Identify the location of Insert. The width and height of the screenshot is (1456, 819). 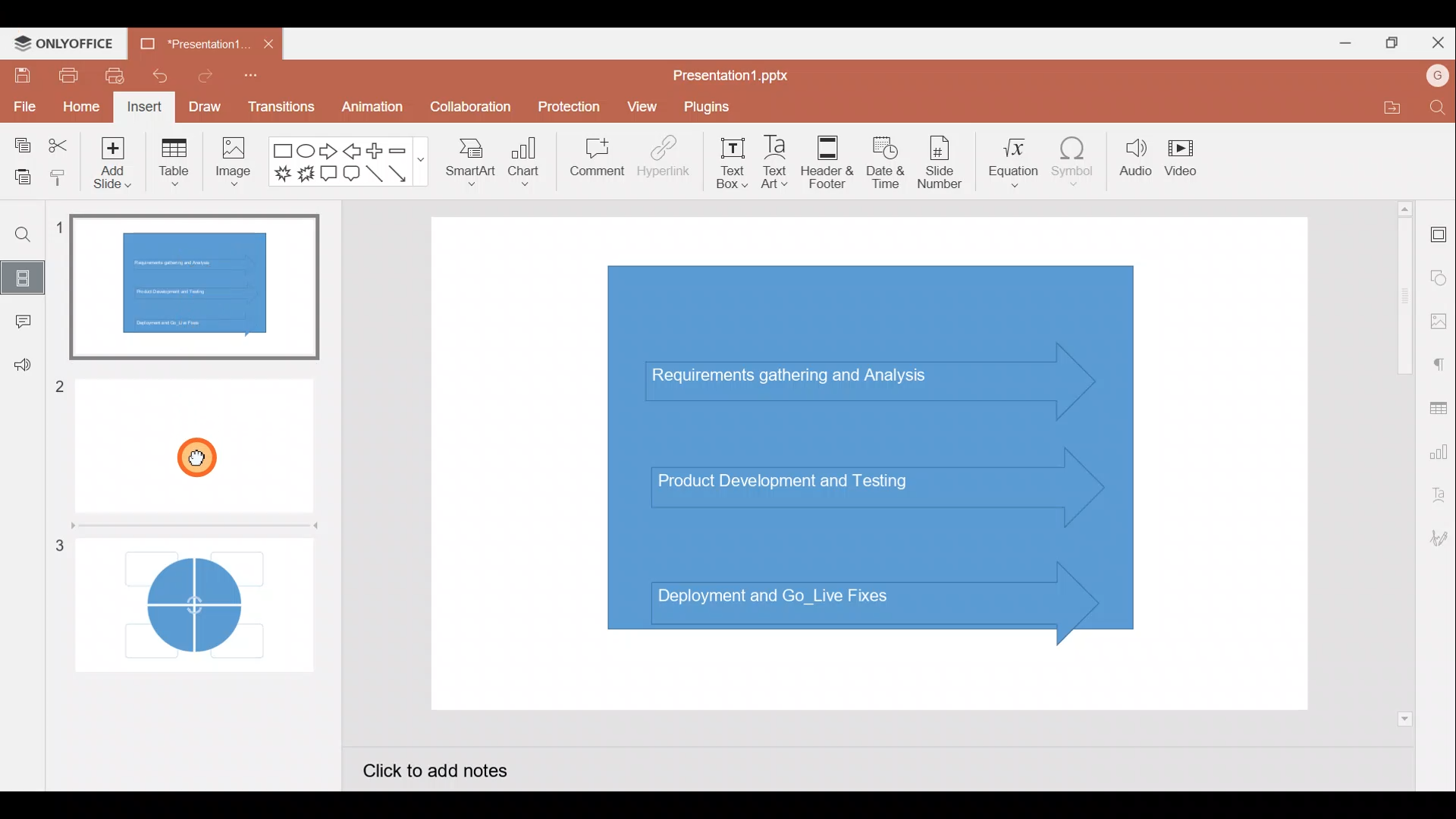
(144, 106).